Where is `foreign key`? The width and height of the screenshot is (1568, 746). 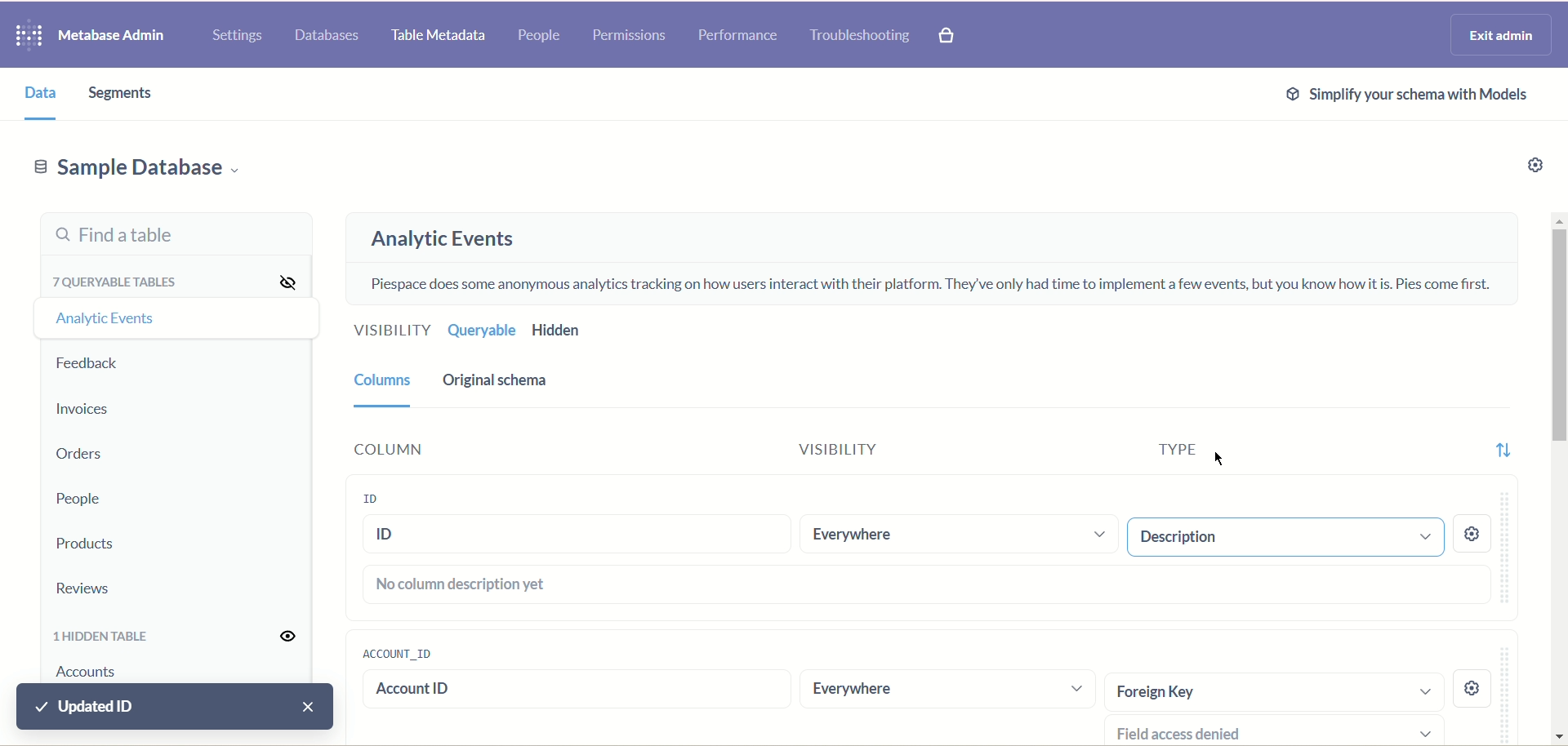 foreign key is located at coordinates (1272, 690).